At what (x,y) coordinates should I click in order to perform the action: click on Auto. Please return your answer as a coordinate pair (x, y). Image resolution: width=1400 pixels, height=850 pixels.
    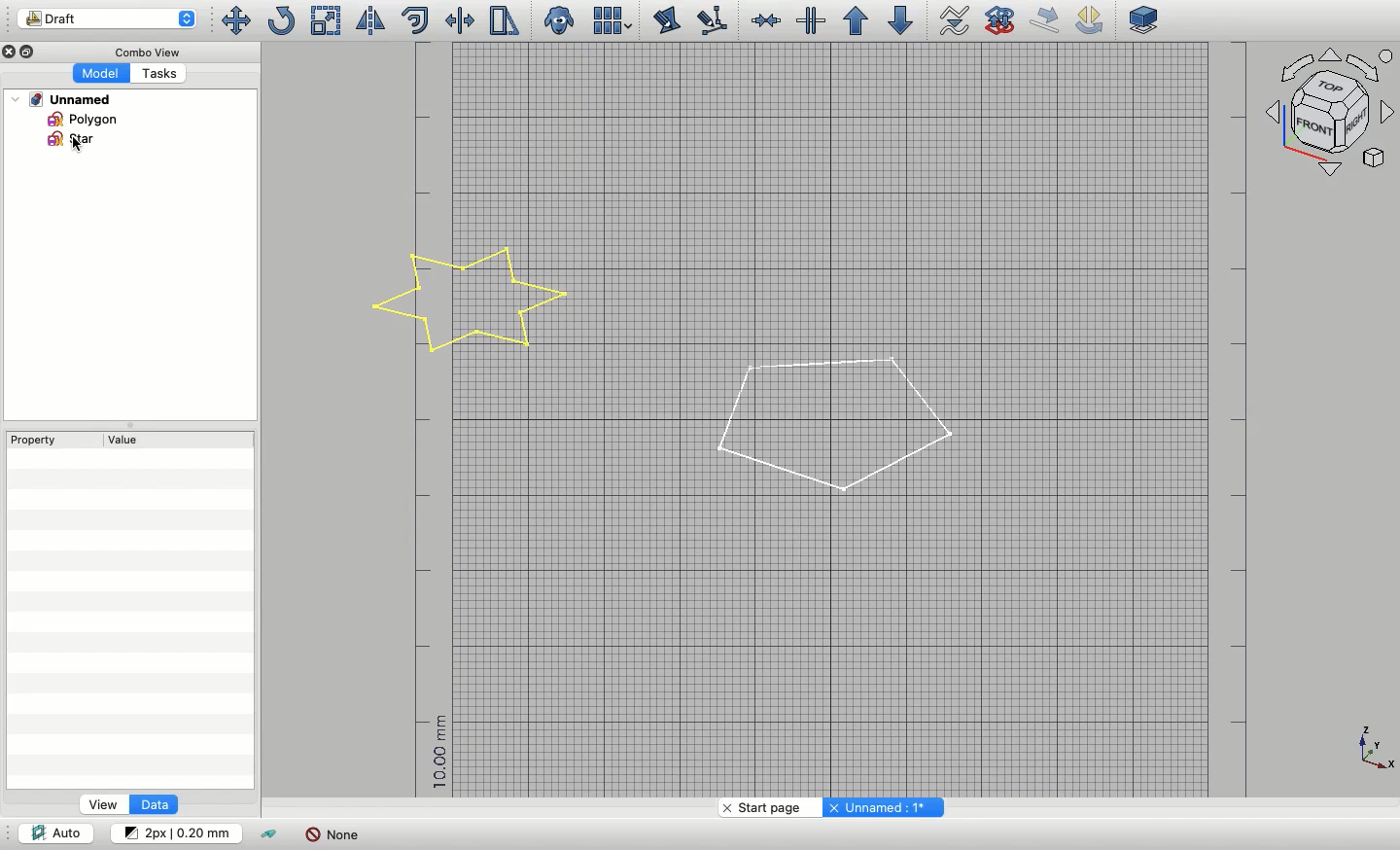
    Looking at the image, I should click on (55, 832).